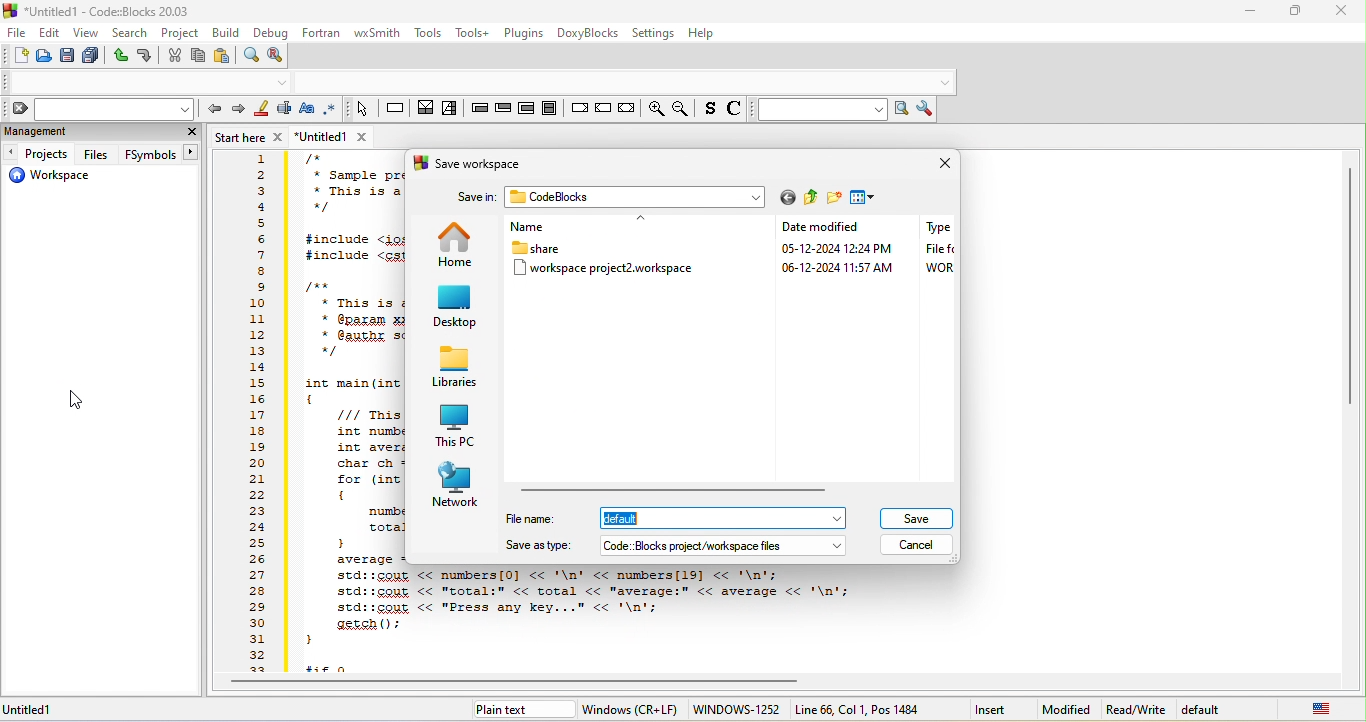 Image resolution: width=1366 pixels, height=722 pixels. What do you see at coordinates (824, 247) in the screenshot?
I see `date modified` at bounding box center [824, 247].